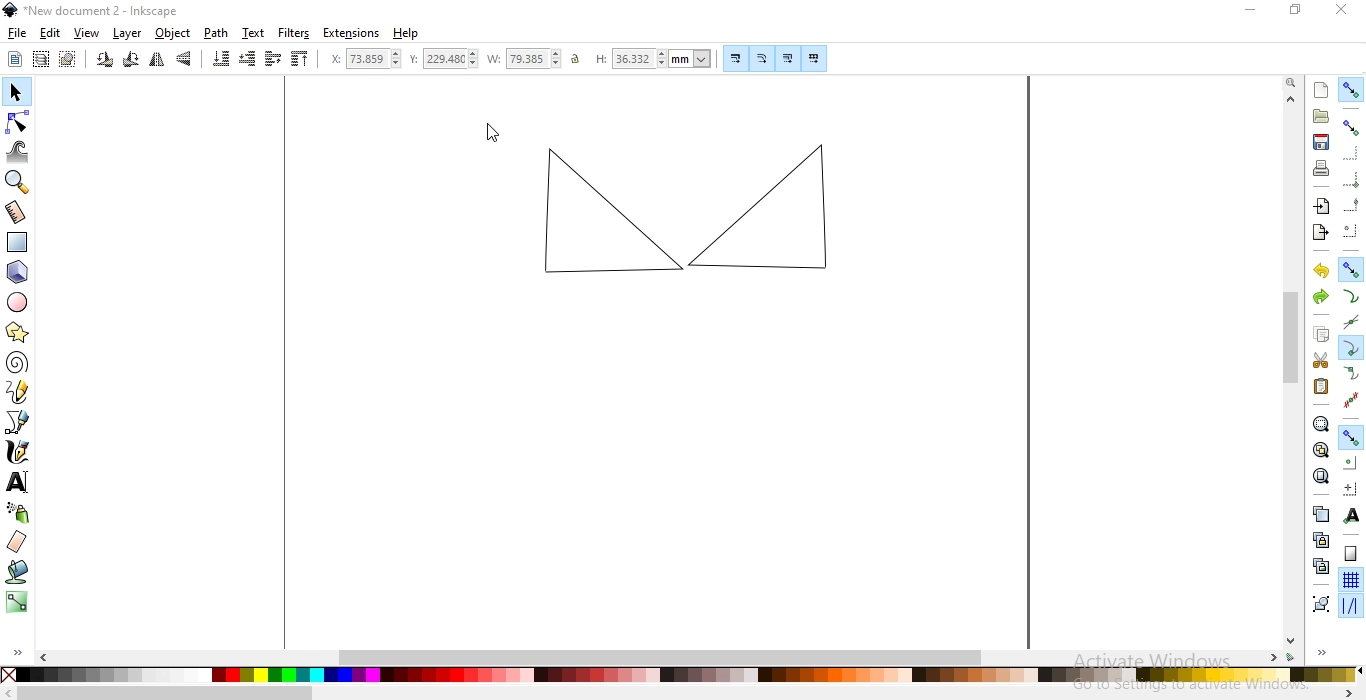  Describe the element at coordinates (98, 10) in the screenshot. I see `new document 2 - Inkscape` at that location.